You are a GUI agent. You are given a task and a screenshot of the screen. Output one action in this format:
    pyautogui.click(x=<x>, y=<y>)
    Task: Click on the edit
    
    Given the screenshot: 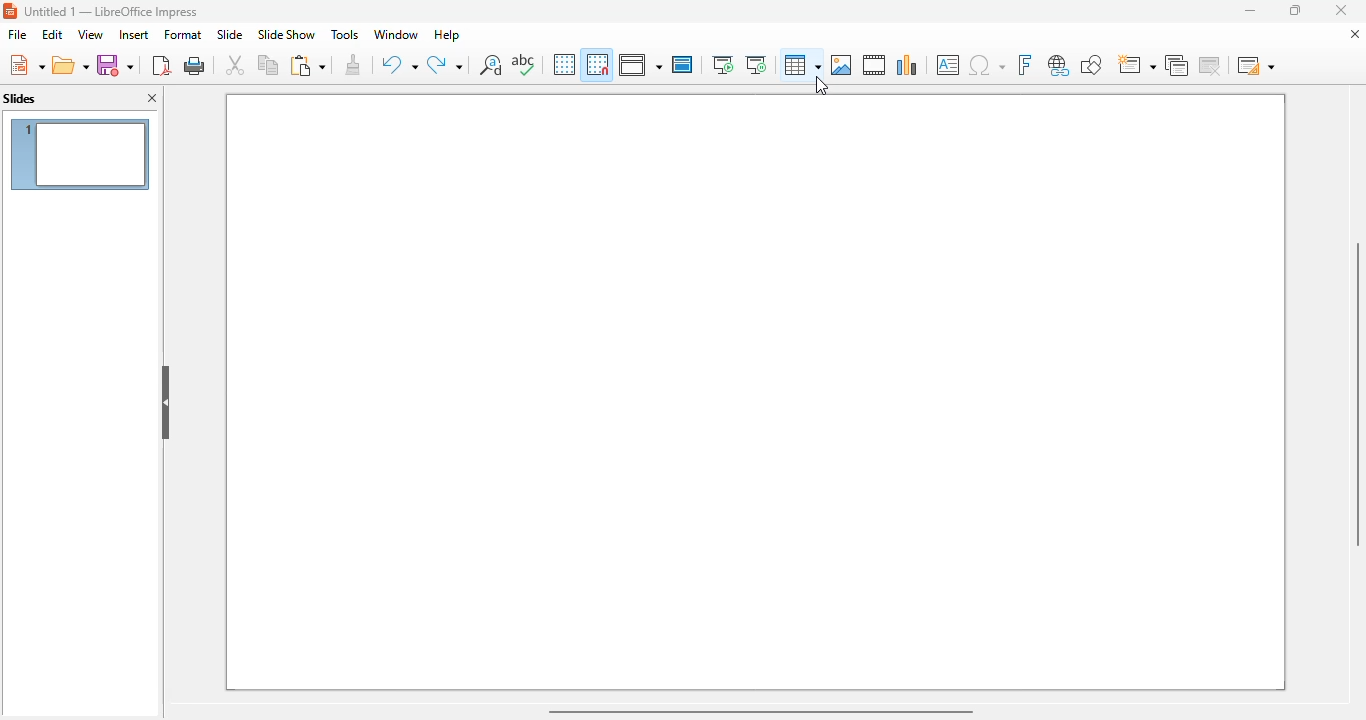 What is the action you would take?
    pyautogui.click(x=54, y=35)
    